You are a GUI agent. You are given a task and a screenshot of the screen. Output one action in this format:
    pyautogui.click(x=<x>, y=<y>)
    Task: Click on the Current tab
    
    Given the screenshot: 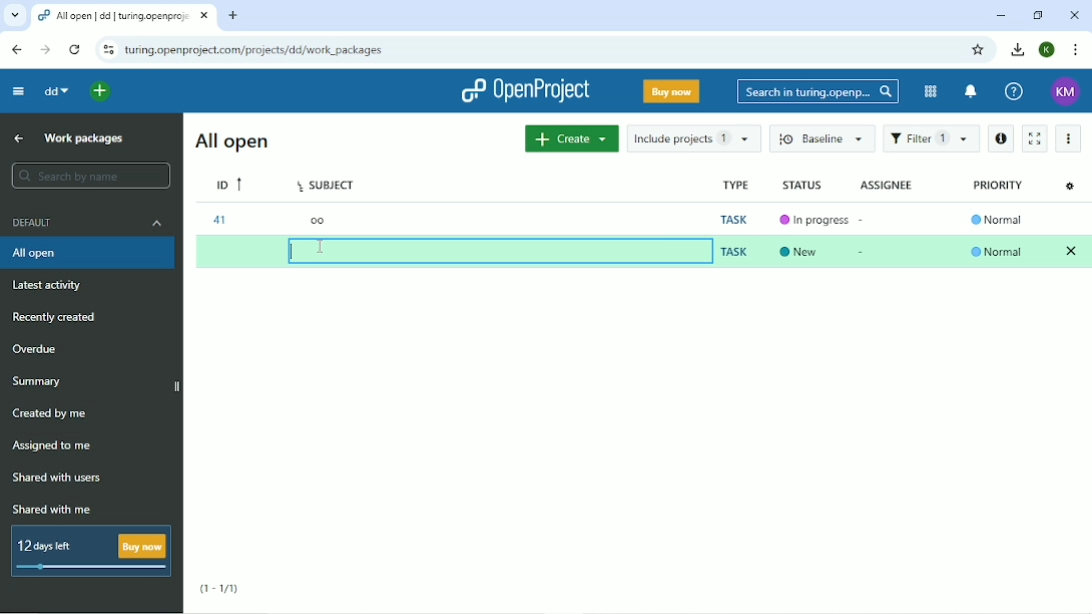 What is the action you would take?
    pyautogui.click(x=124, y=16)
    